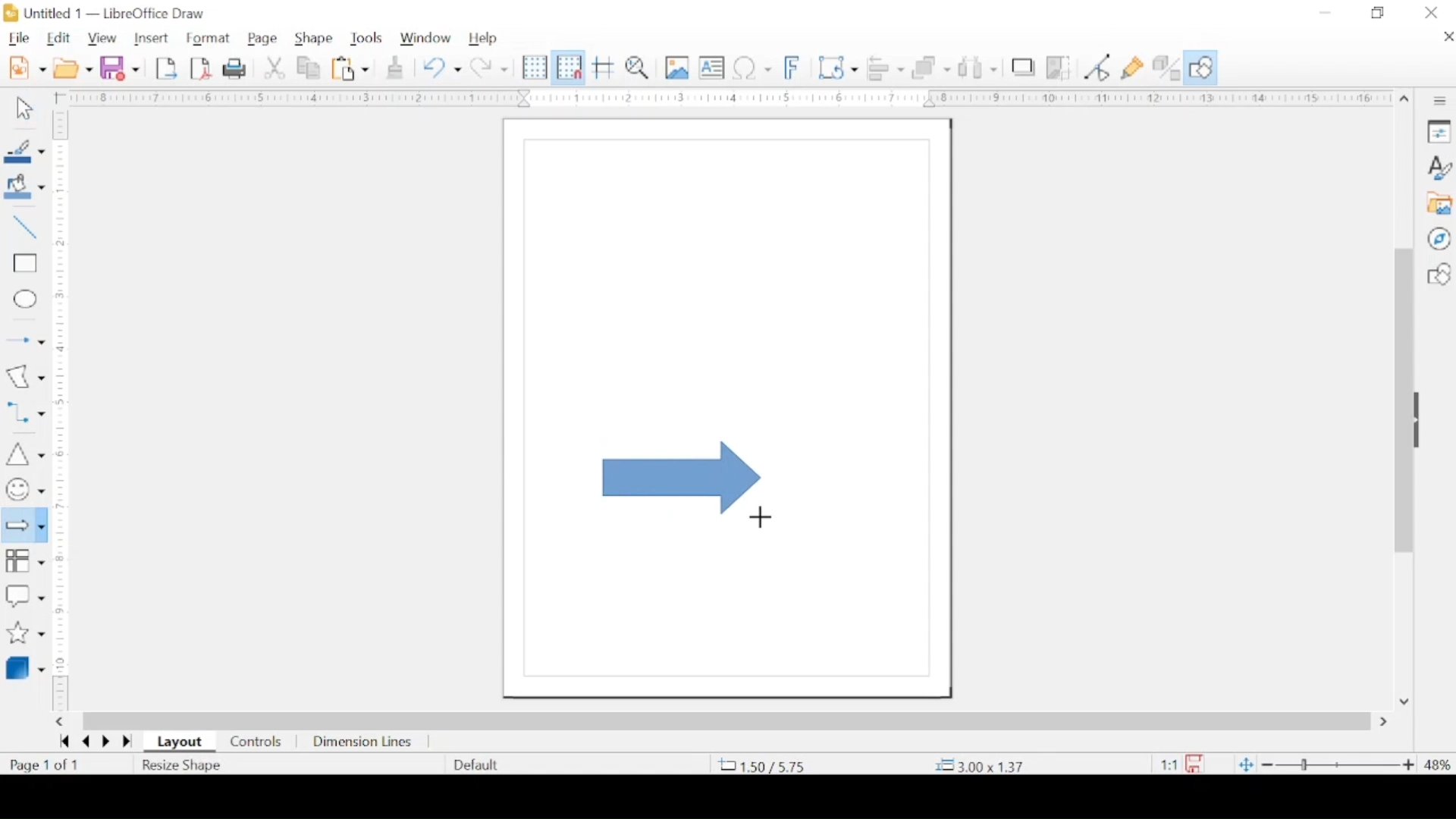  What do you see at coordinates (73, 67) in the screenshot?
I see `open` at bounding box center [73, 67].